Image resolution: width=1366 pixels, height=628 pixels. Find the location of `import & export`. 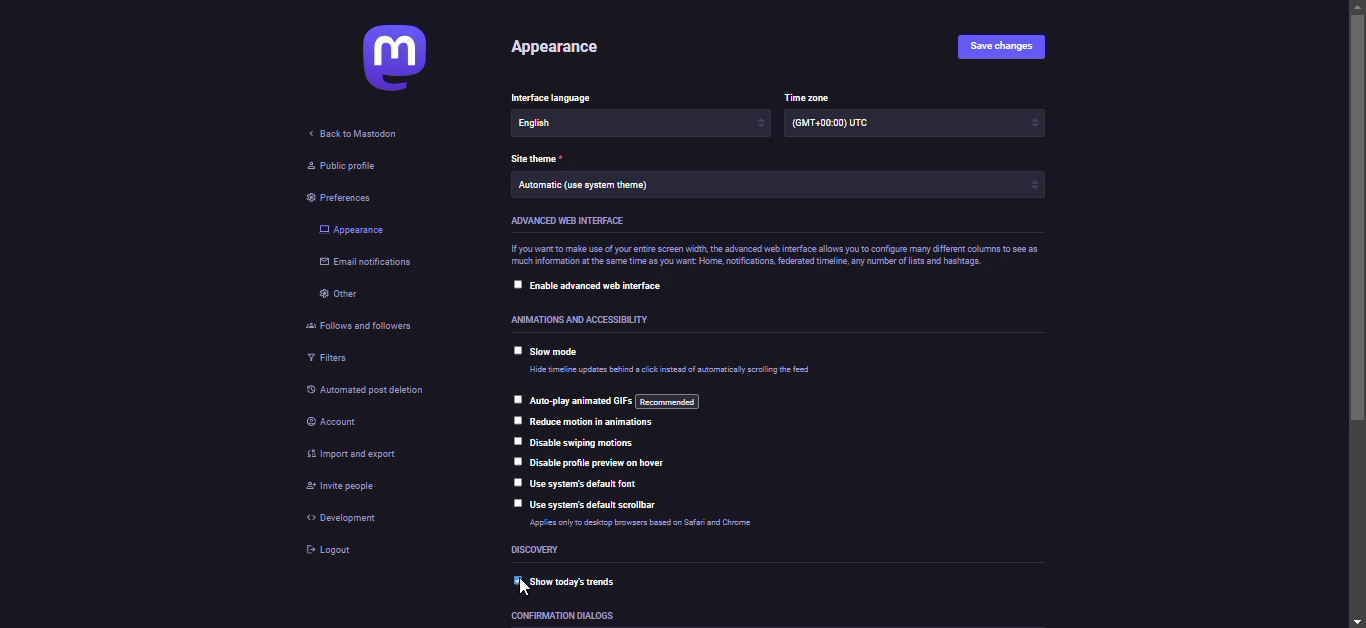

import & export is located at coordinates (355, 455).